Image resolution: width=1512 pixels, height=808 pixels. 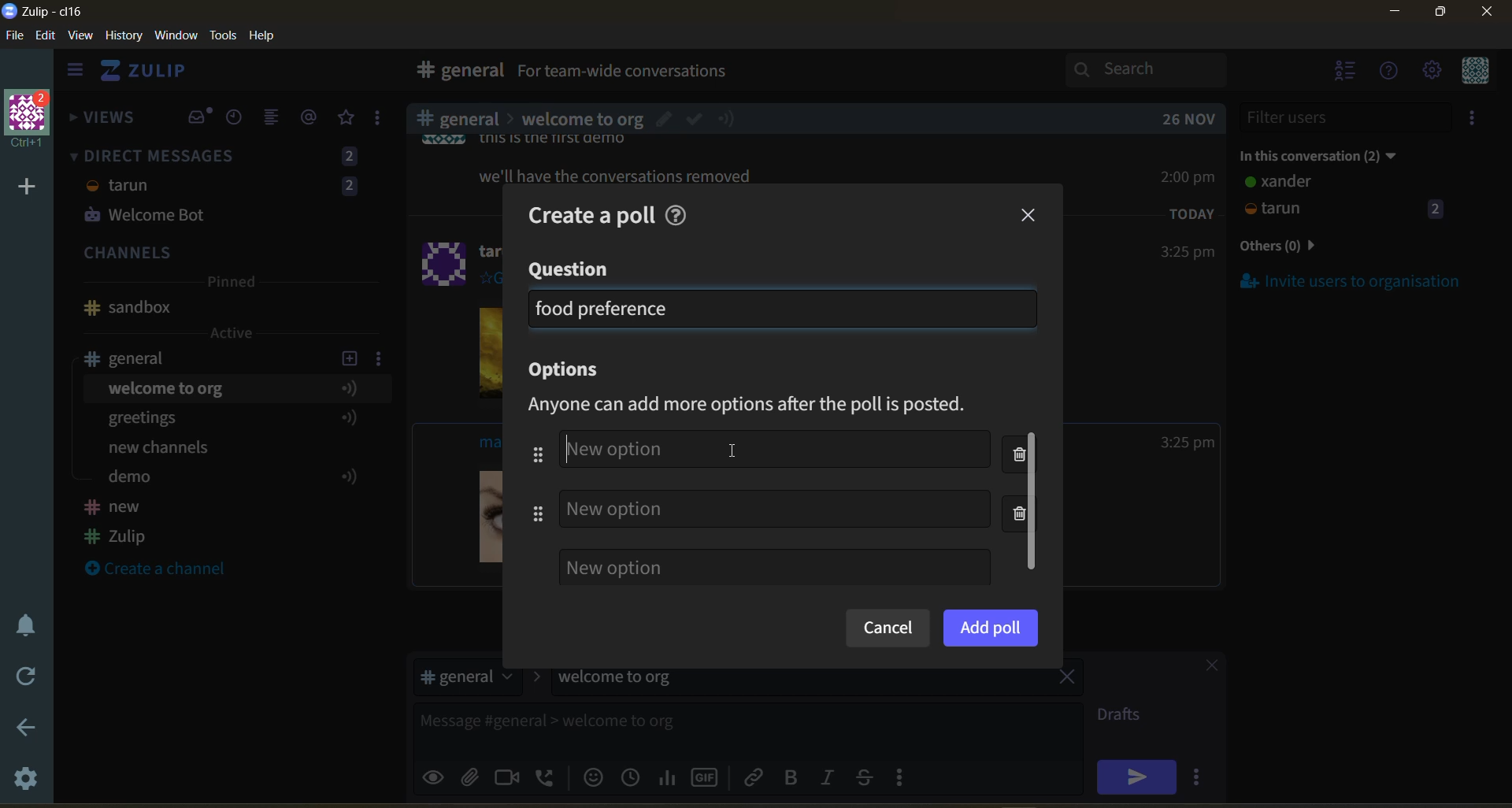 I want to click on go back, so click(x=24, y=728).